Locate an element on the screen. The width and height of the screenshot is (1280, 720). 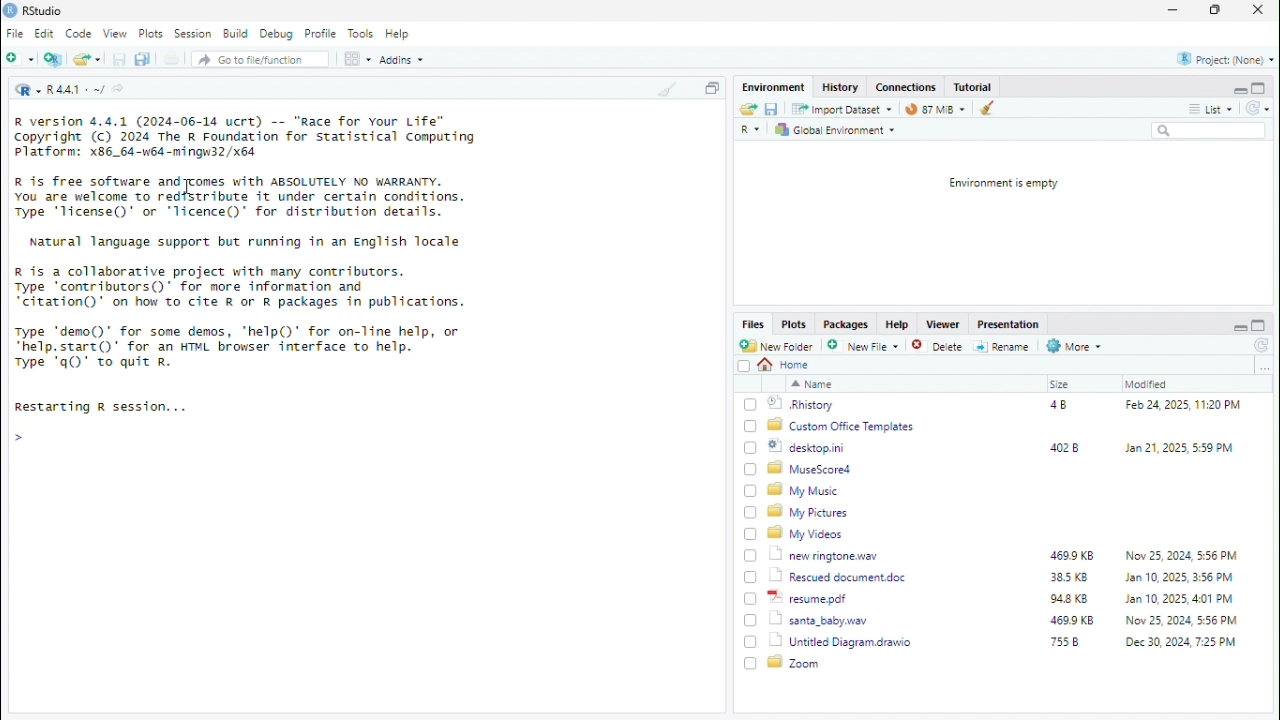
send file is located at coordinates (747, 109).